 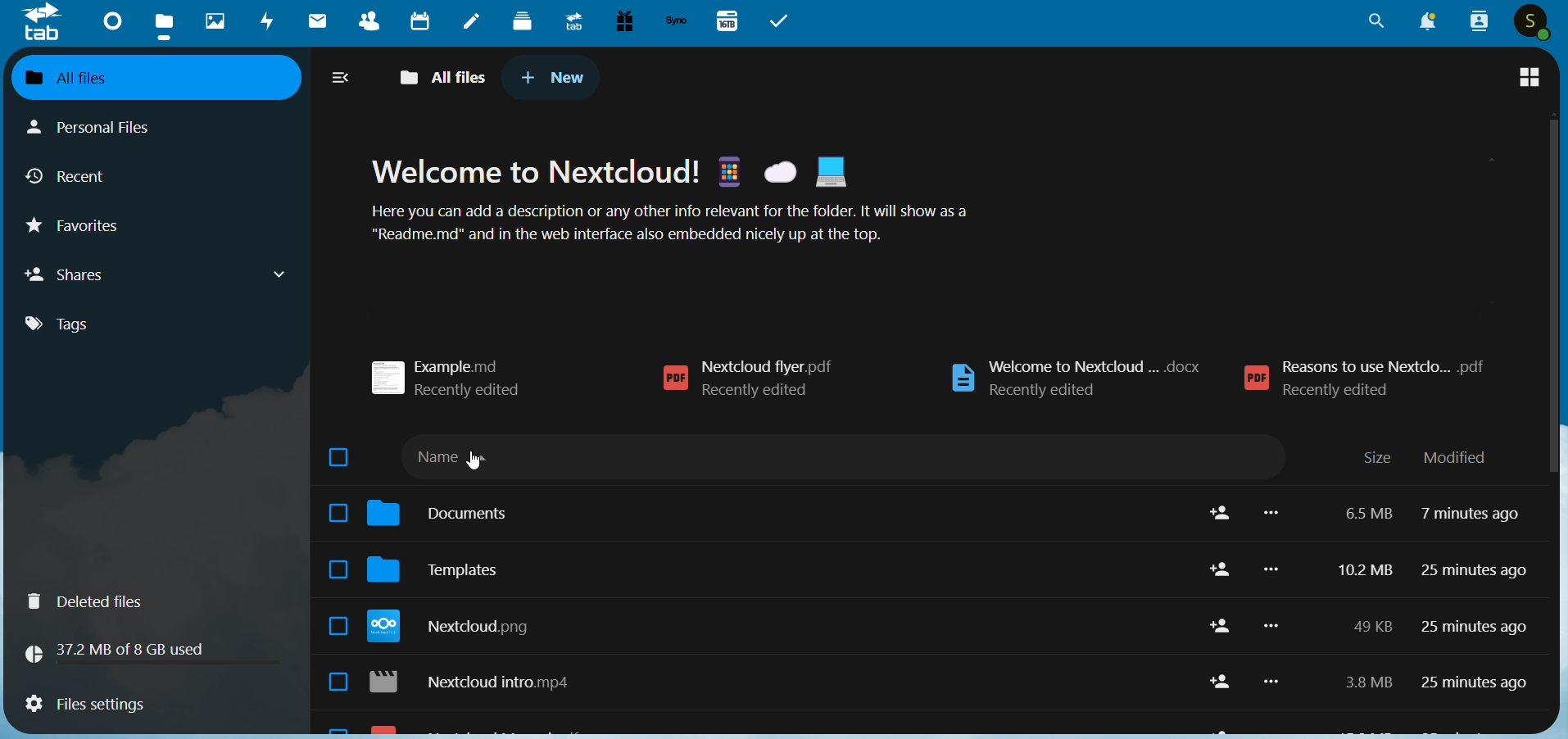 What do you see at coordinates (1363, 601) in the screenshot?
I see `10.2 MB 6.5 MB 2 kb 954 kb` at bounding box center [1363, 601].